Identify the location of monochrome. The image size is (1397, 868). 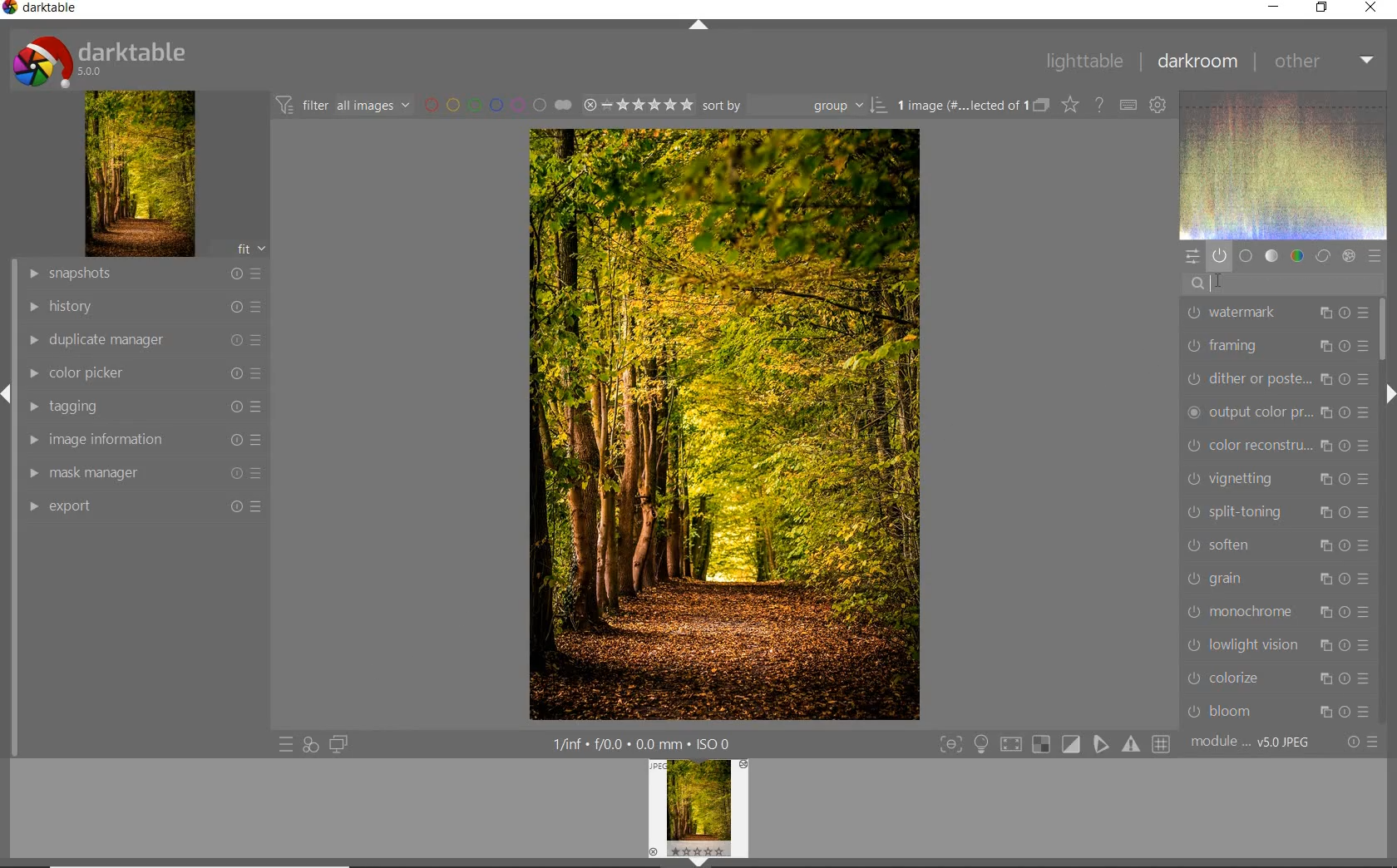
(1281, 610).